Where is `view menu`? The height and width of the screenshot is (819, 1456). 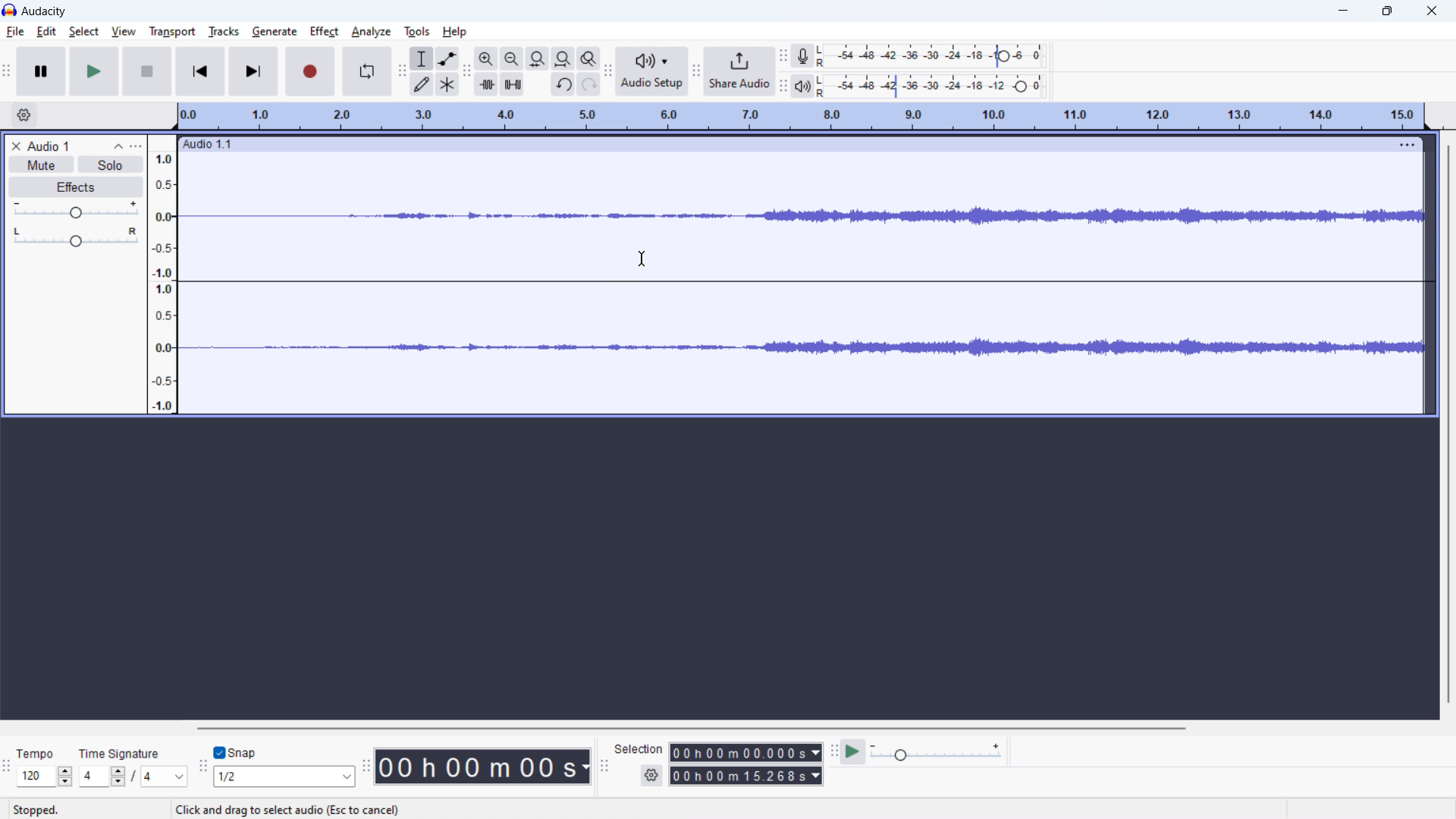 view menu is located at coordinates (136, 146).